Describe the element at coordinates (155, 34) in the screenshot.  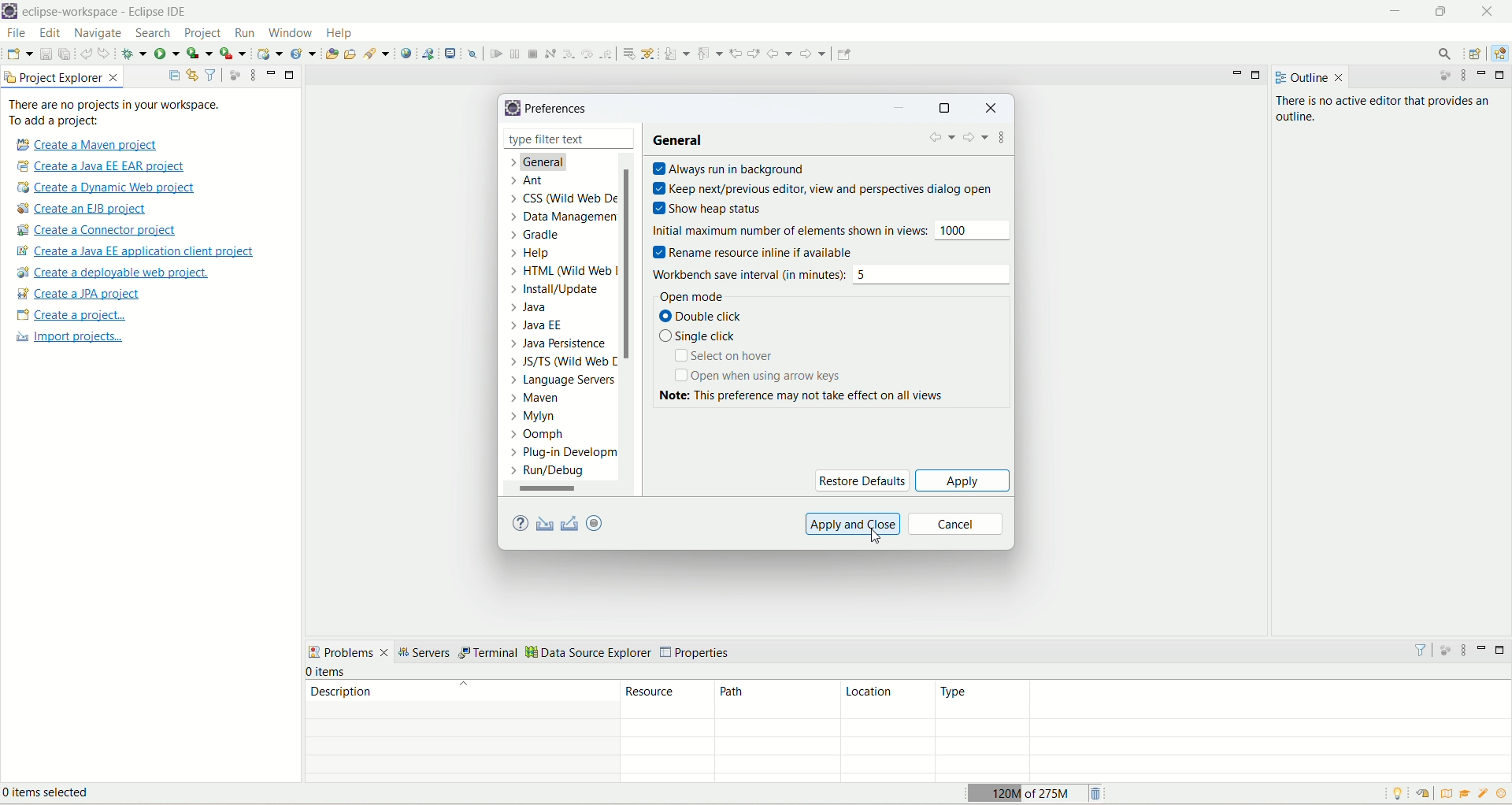
I see `search` at that location.